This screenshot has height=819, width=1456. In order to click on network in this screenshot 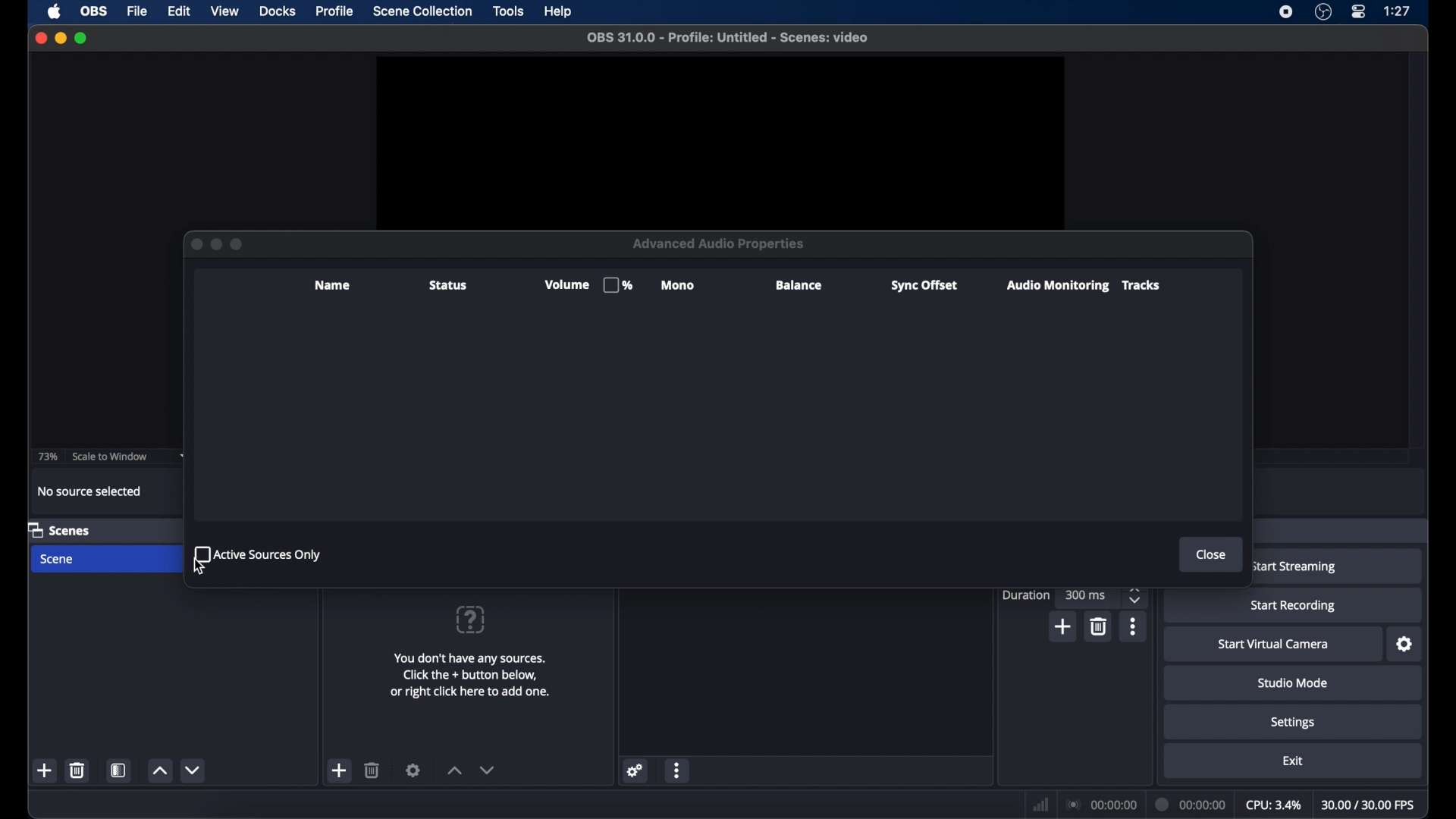, I will do `click(1041, 803)`.